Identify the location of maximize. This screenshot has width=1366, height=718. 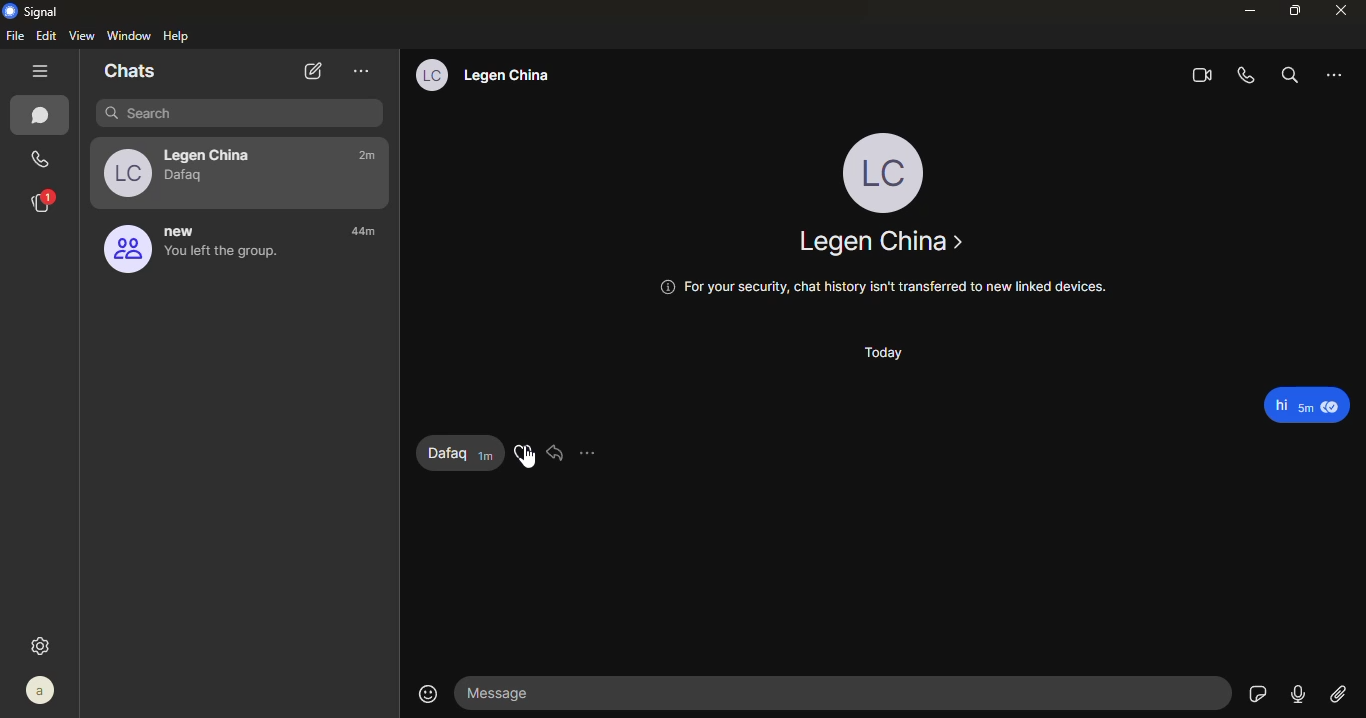
(1293, 12).